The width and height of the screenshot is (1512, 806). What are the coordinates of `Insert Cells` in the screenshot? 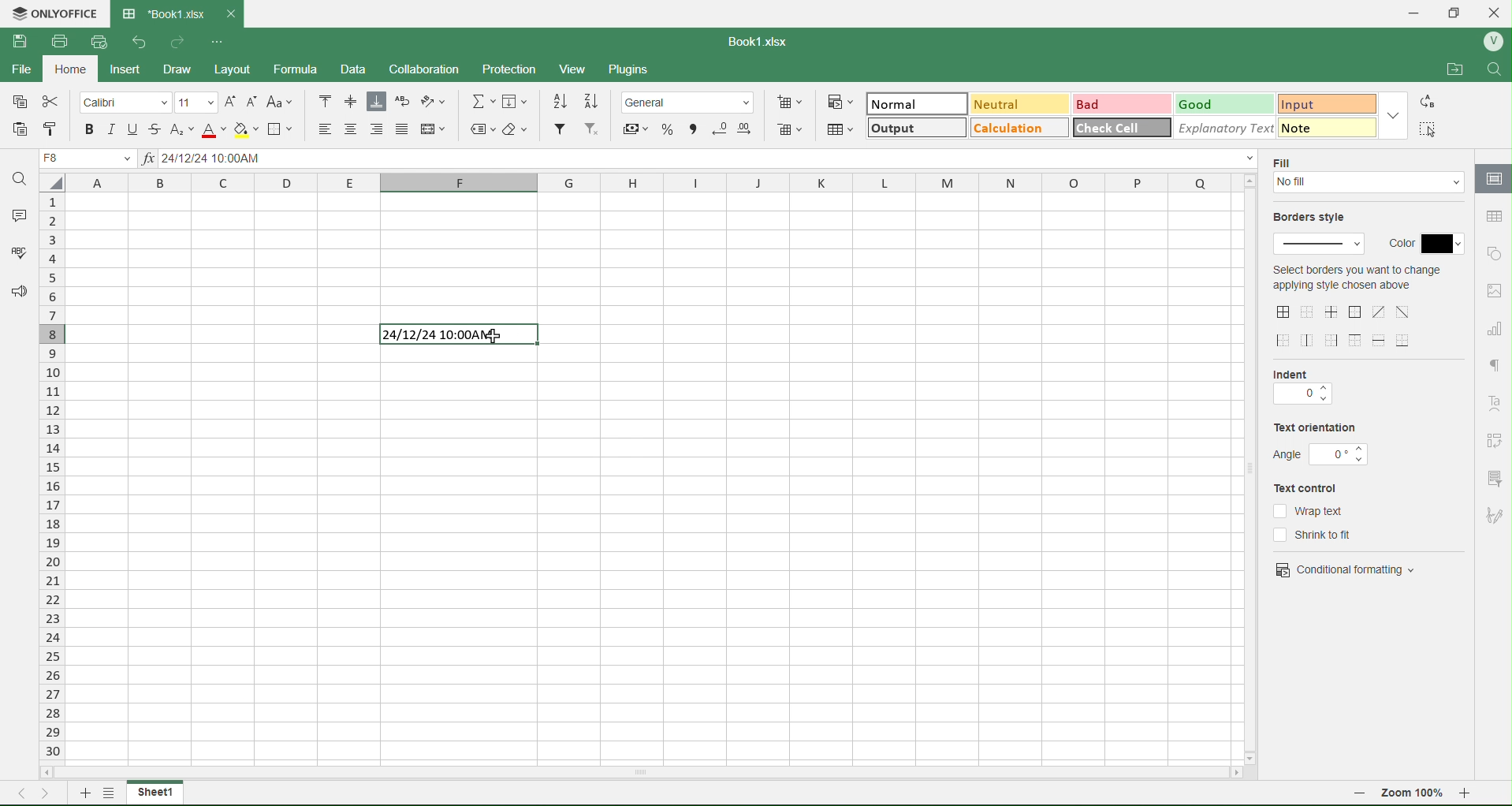 It's located at (792, 101).